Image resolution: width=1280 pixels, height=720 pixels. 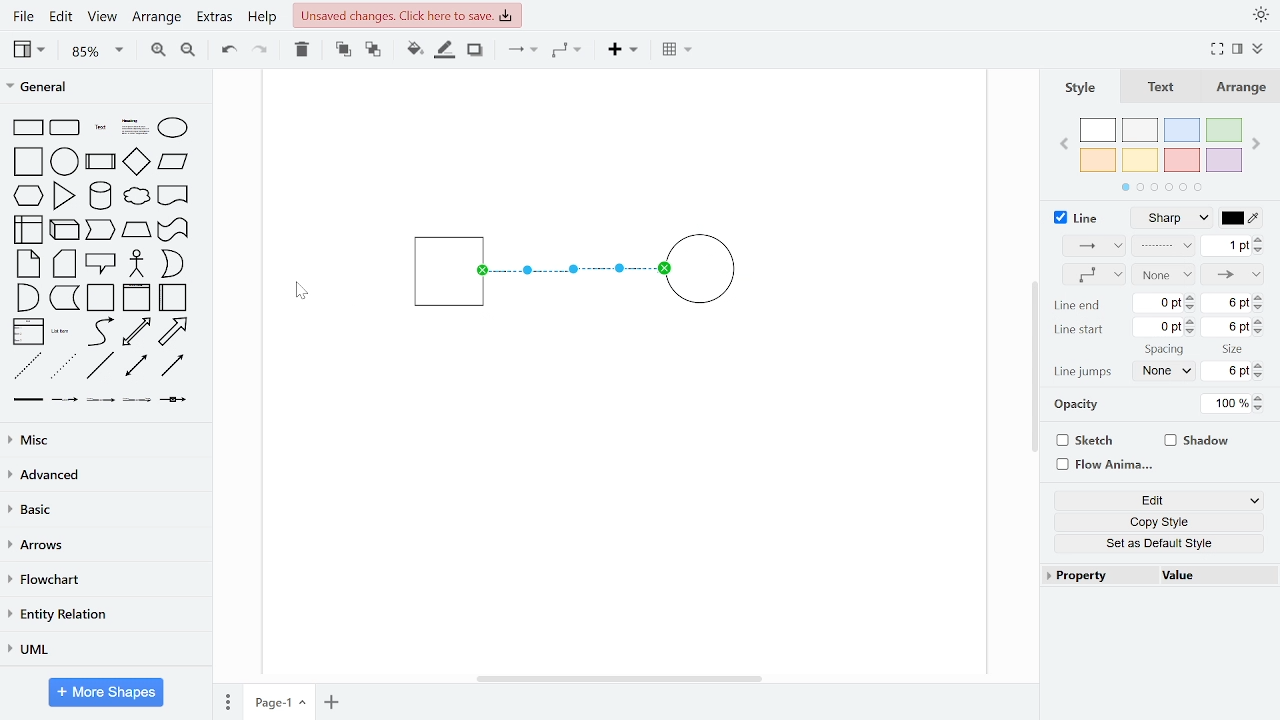 I want to click on arrange, so click(x=157, y=18).